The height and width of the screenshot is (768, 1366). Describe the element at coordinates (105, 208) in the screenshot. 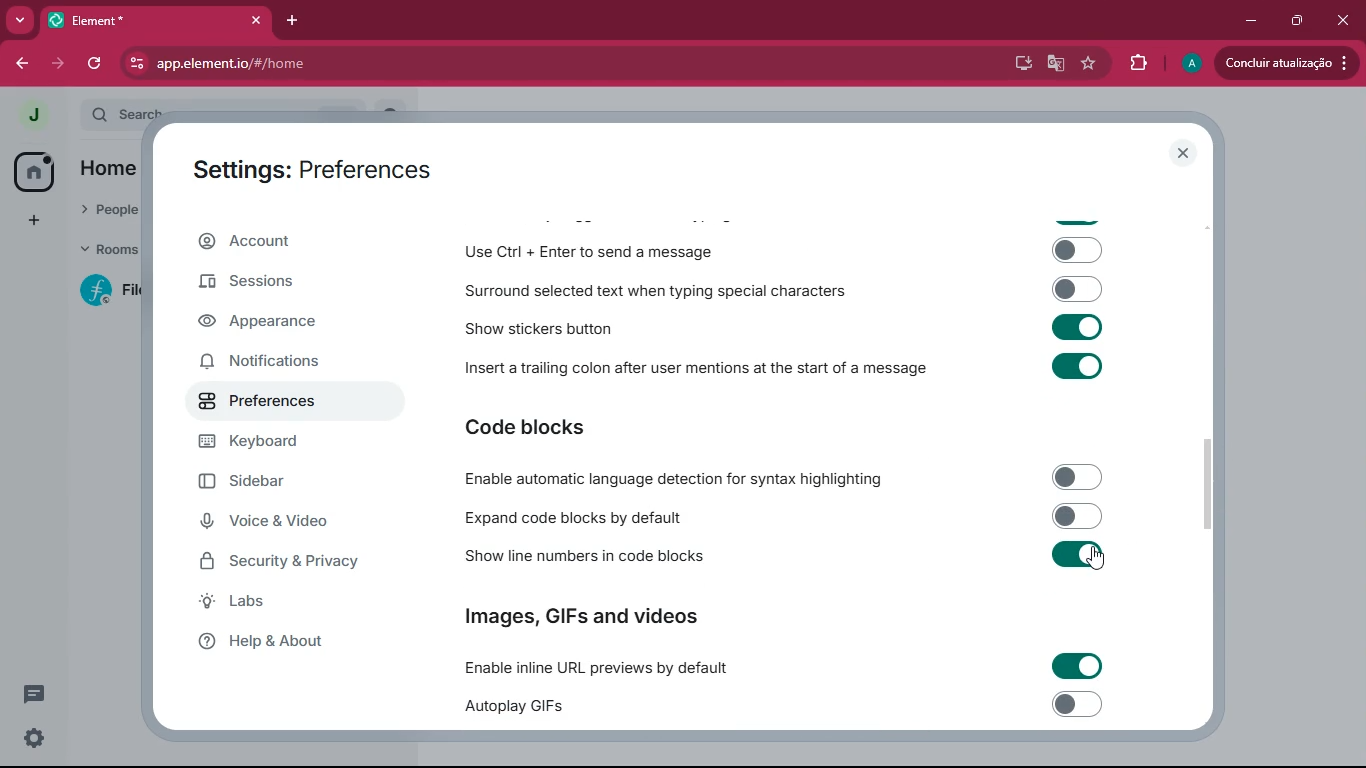

I see `people` at that location.